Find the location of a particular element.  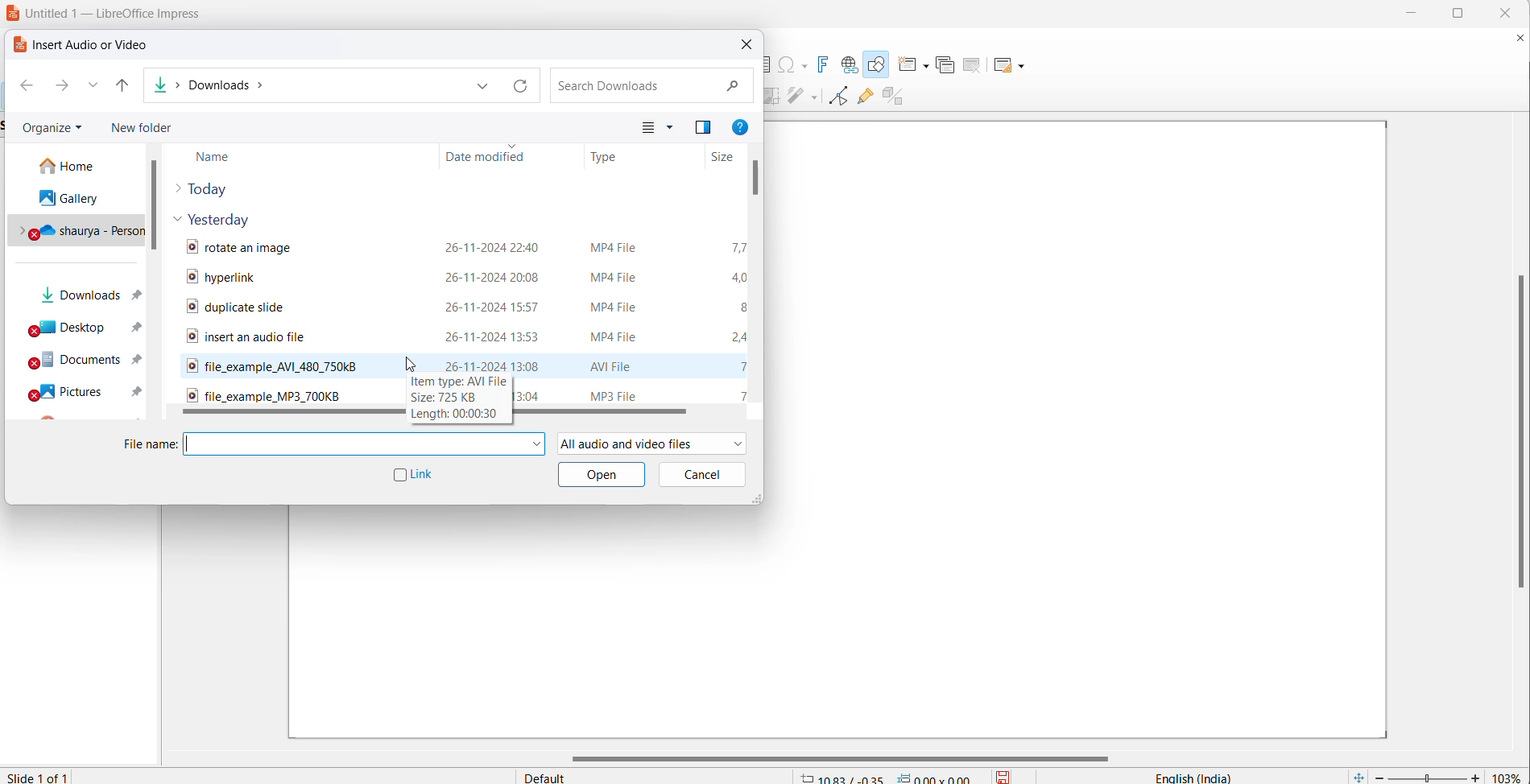

dialog box title is located at coordinates (87, 43).